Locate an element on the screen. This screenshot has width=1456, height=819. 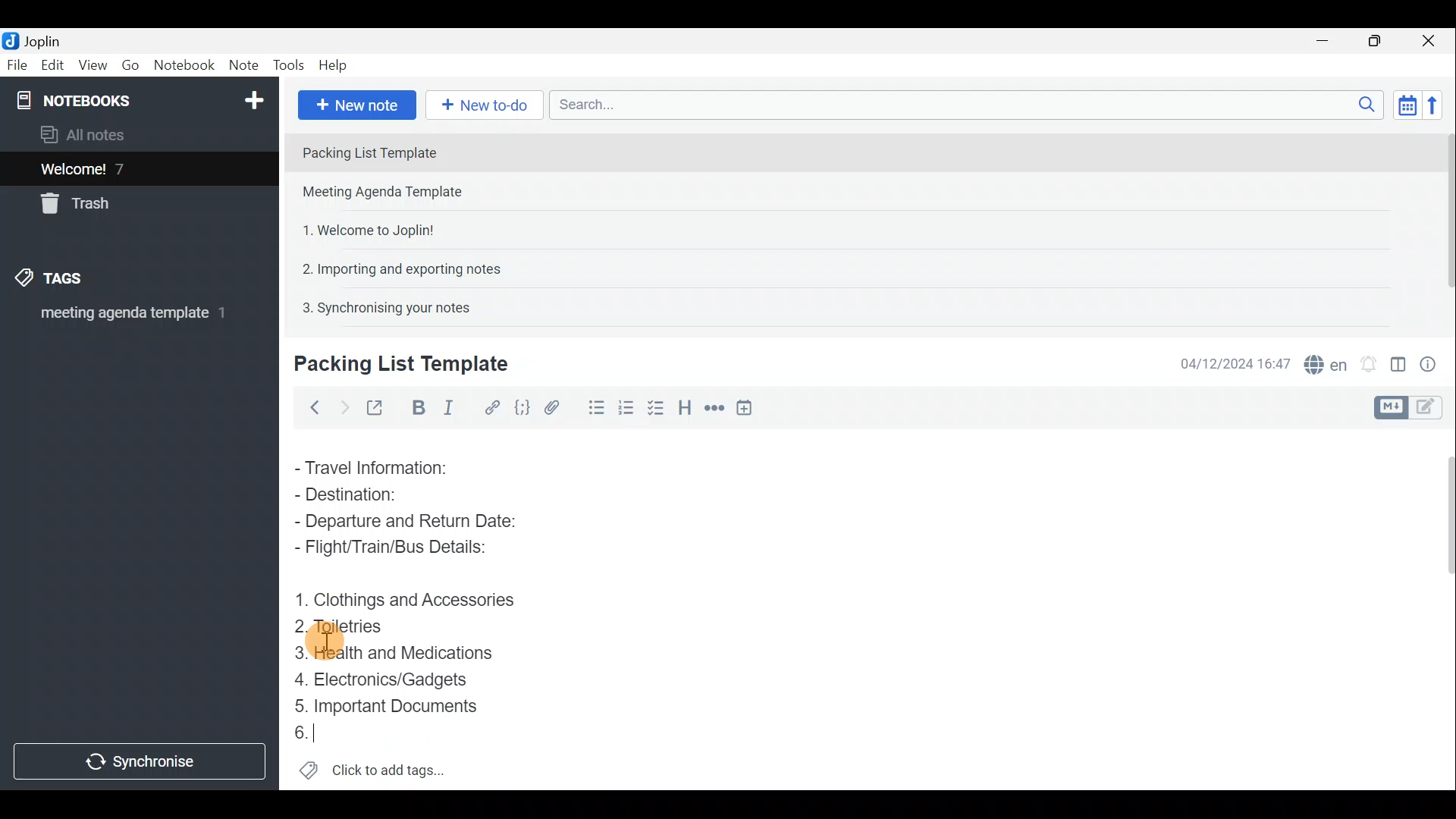
Maximise is located at coordinates (1380, 41).